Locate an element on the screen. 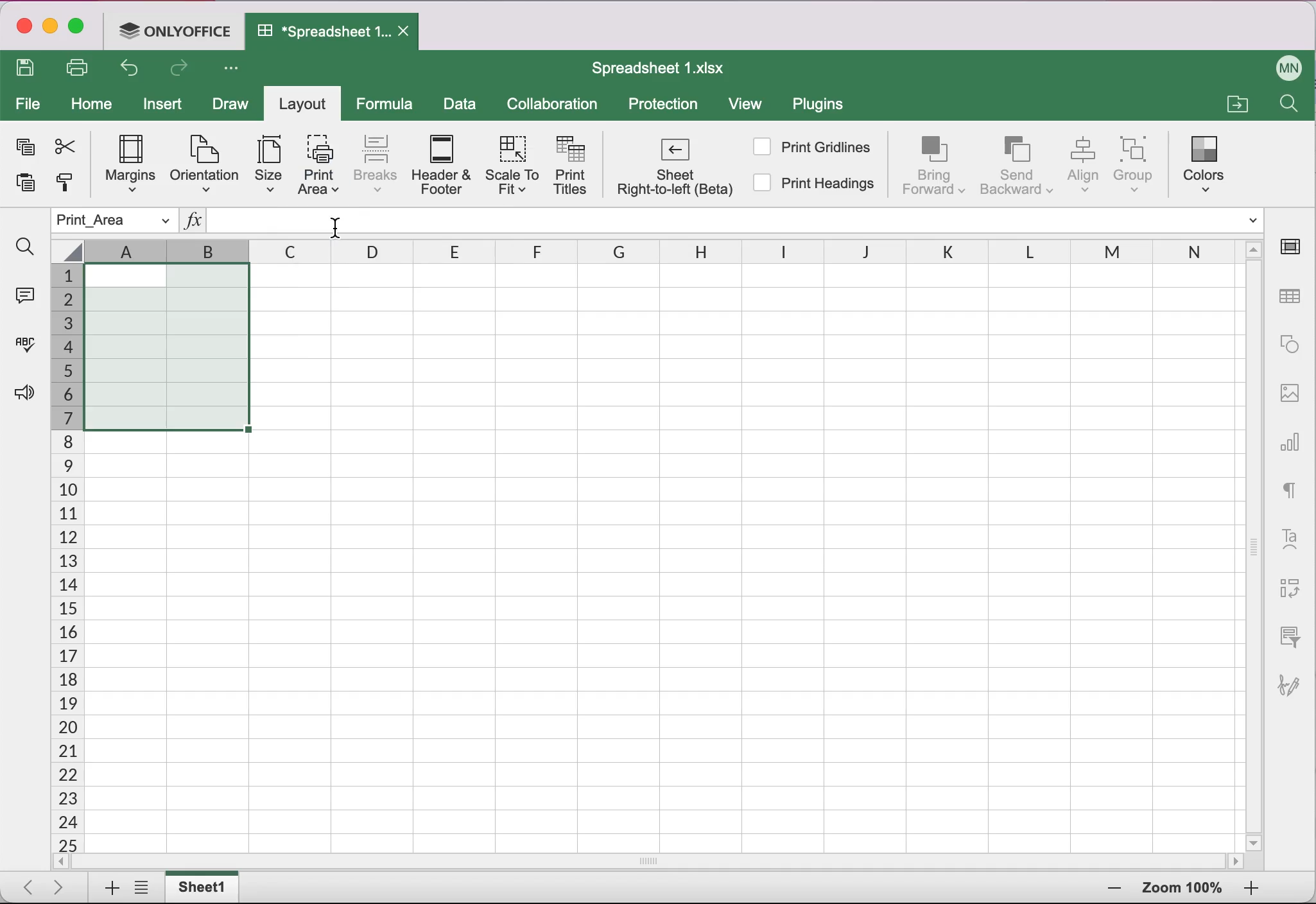  text art is located at coordinates (1290, 537).